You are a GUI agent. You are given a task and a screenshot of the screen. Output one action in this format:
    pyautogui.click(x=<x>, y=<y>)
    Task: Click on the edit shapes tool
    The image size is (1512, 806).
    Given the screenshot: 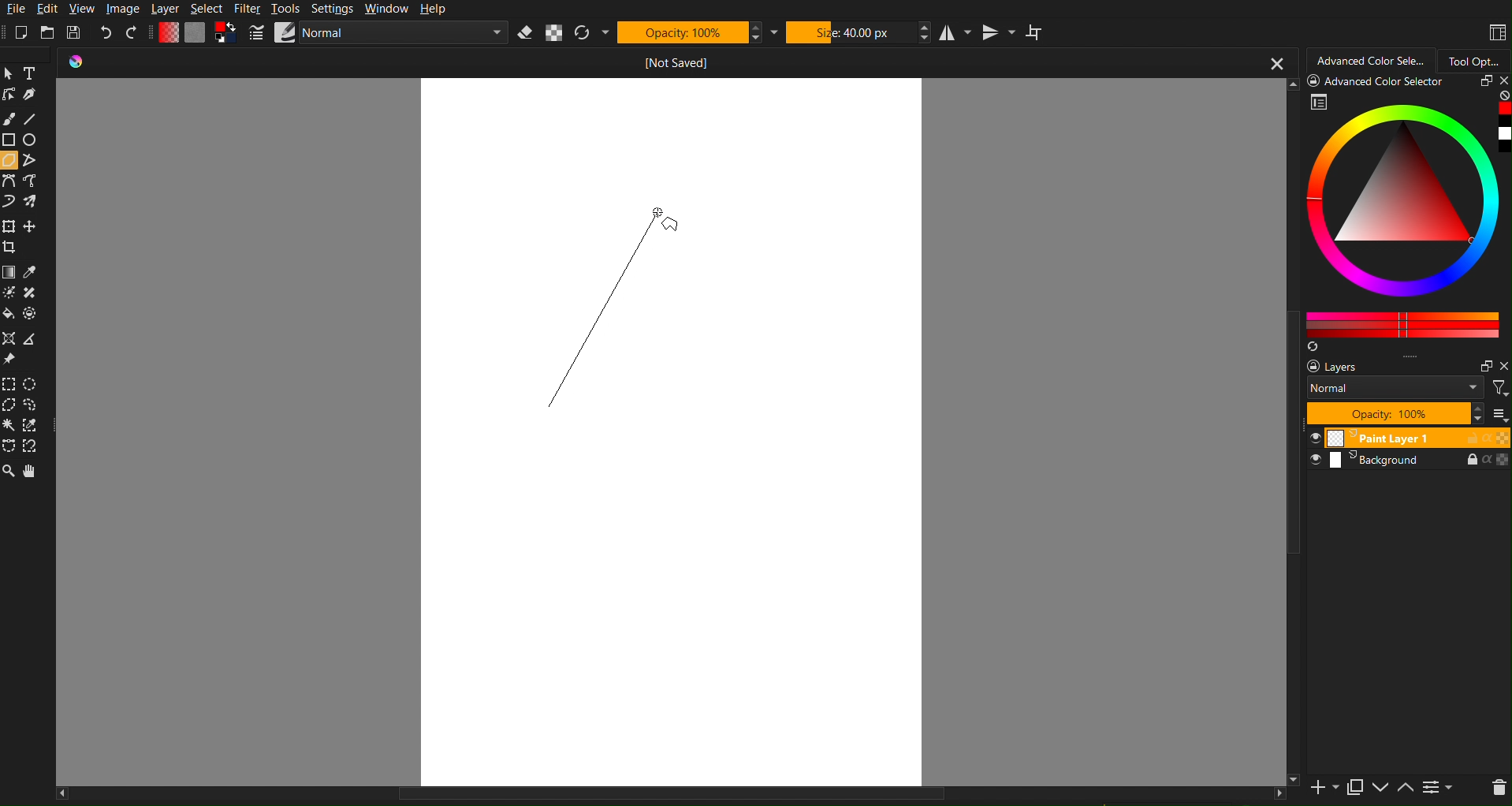 What is the action you would take?
    pyautogui.click(x=10, y=95)
    